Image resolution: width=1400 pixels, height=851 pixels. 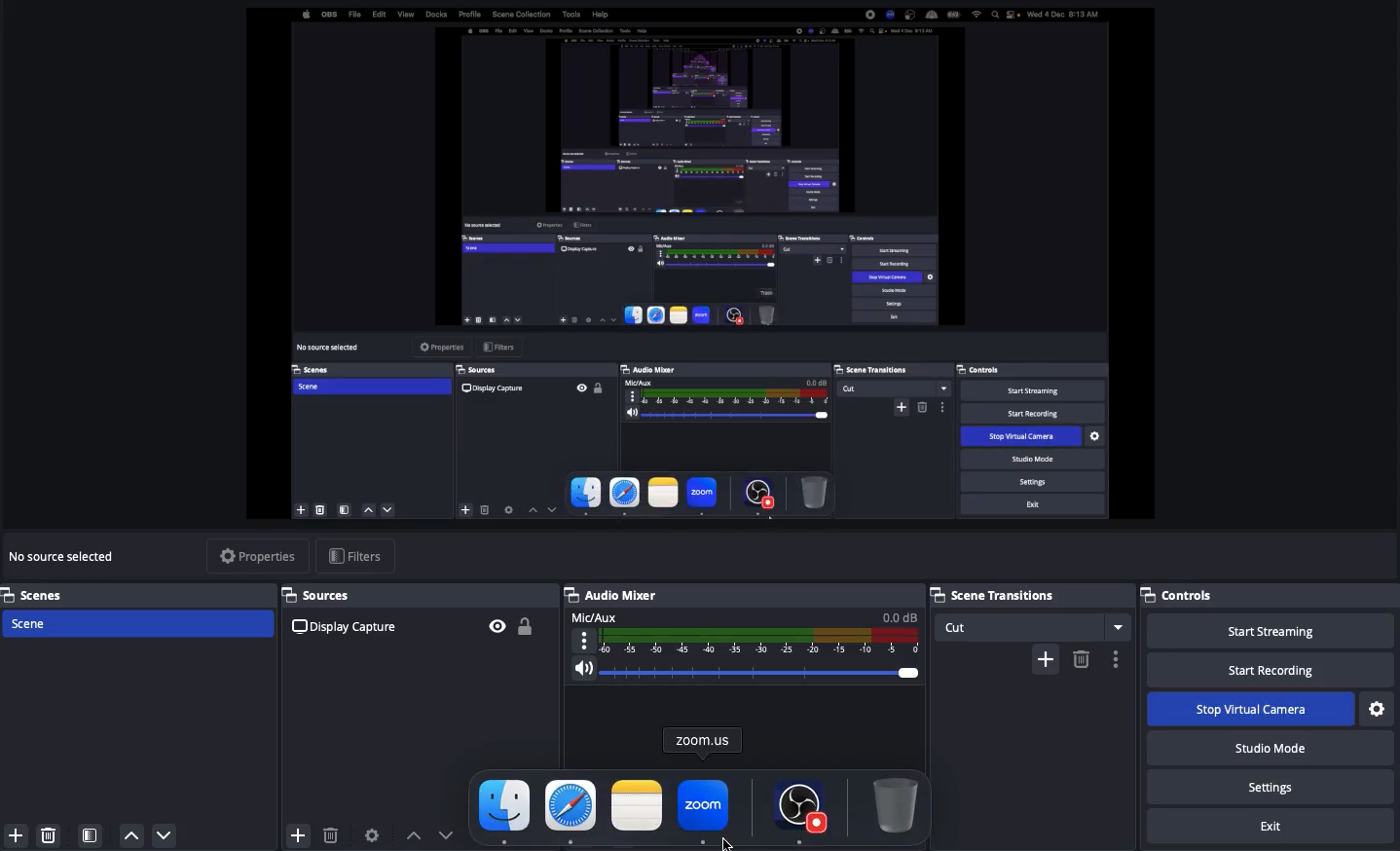 I want to click on Remove, so click(x=48, y=834).